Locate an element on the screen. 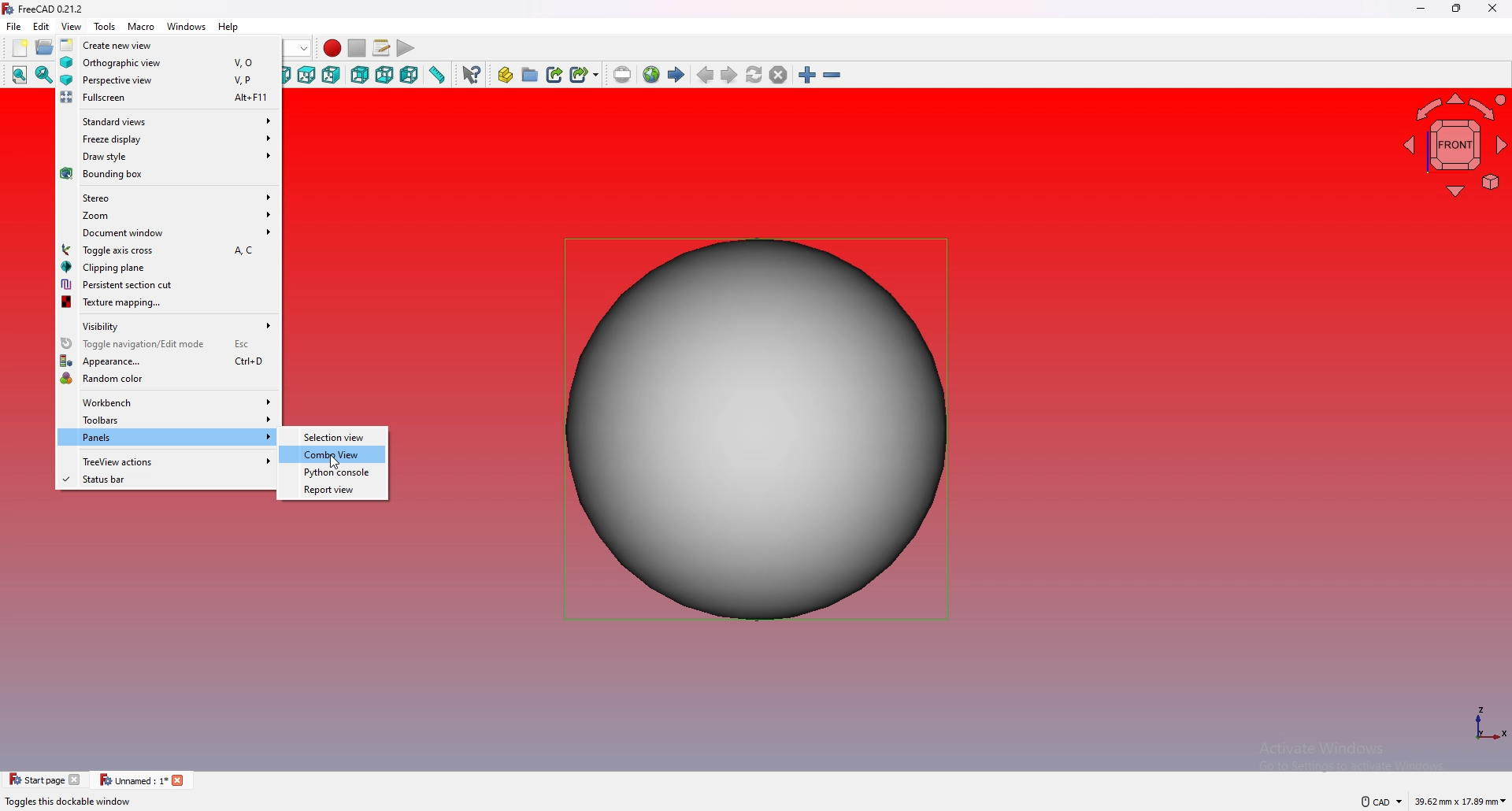  tree view actions is located at coordinates (167, 461).